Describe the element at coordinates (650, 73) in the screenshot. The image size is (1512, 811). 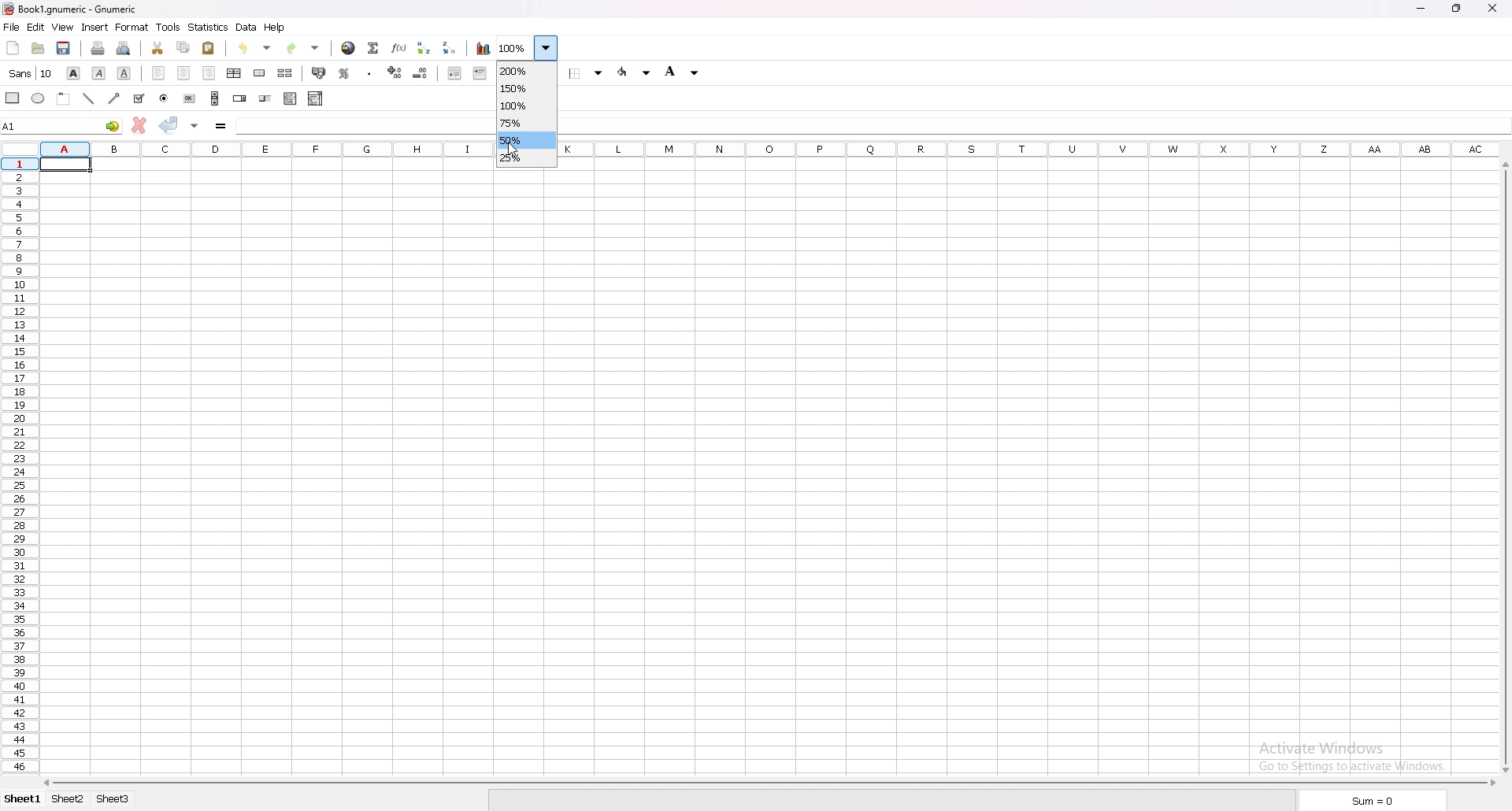
I see `Drop down` at that location.